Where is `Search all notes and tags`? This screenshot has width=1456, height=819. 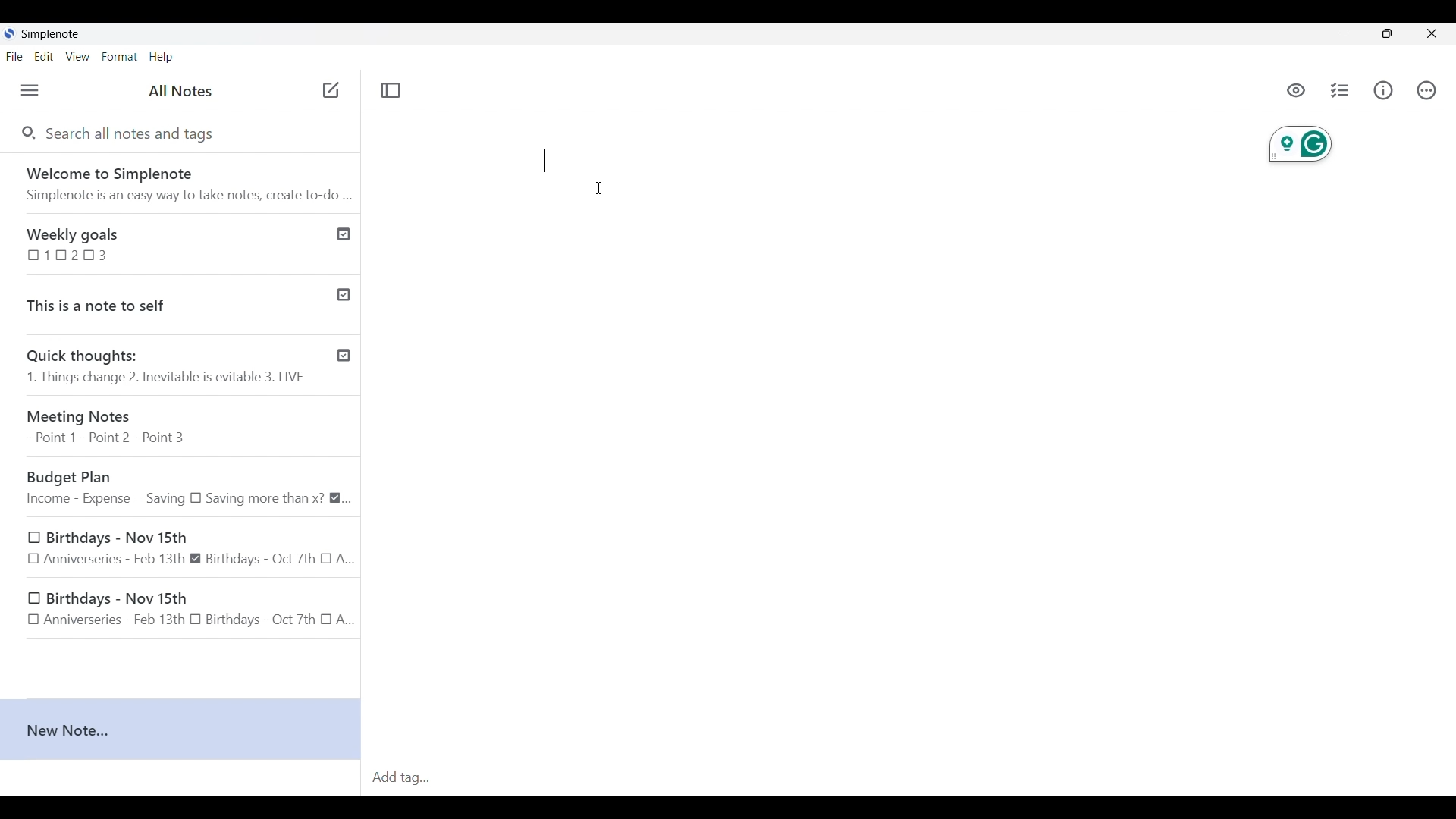
Search all notes and tags is located at coordinates (136, 134).